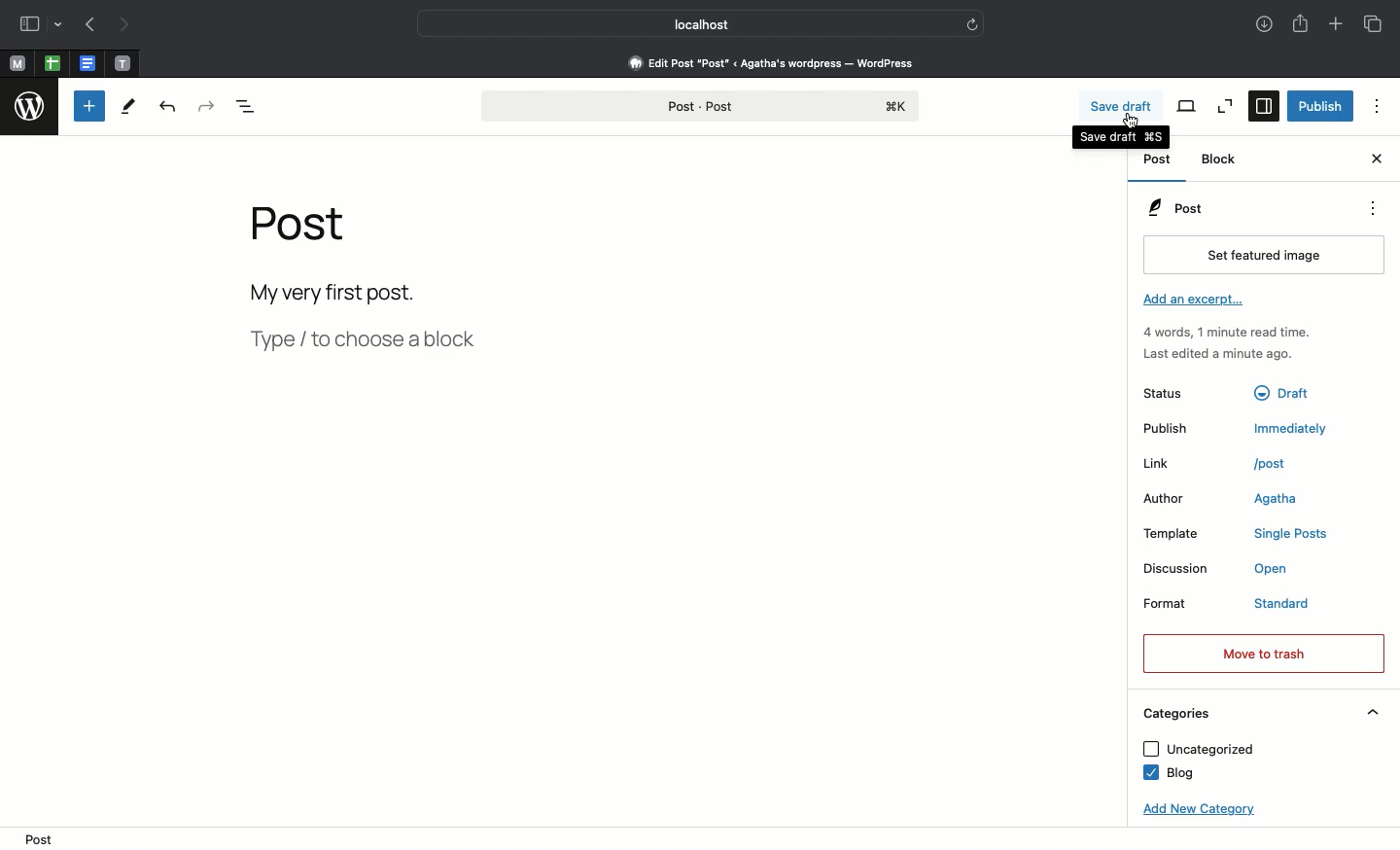 The height and width of the screenshot is (850, 1400). I want to click on 4 words, 1 minute read time. Last edited a minute ago., so click(1225, 346).